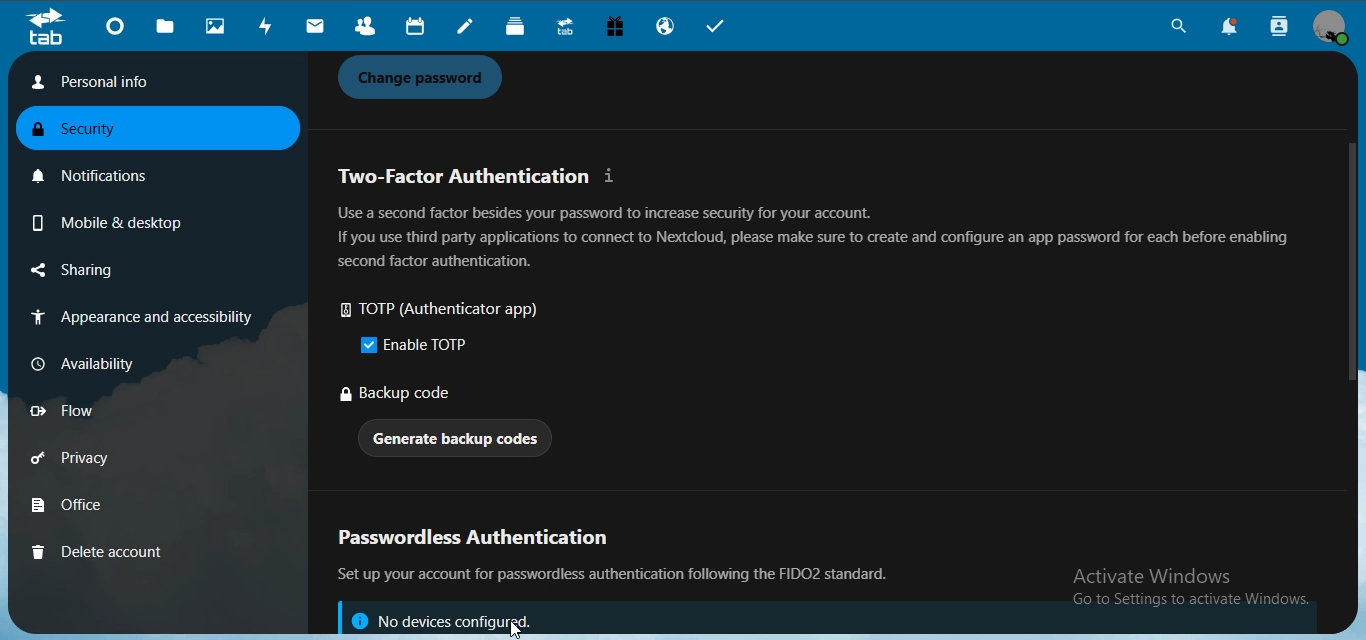 The image size is (1366, 640). What do you see at coordinates (1280, 27) in the screenshot?
I see `search contacts` at bounding box center [1280, 27].